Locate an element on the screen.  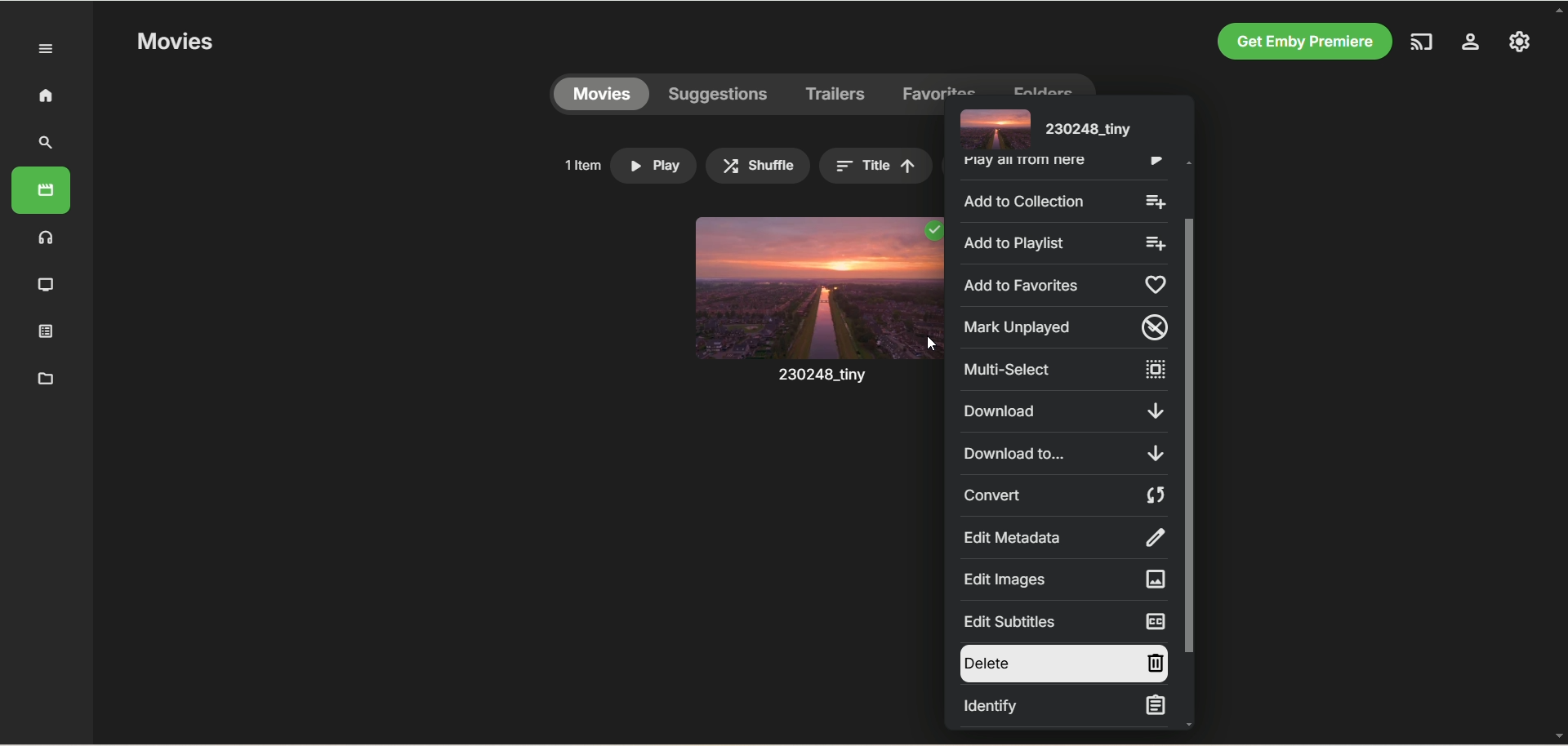
Movie is located at coordinates (816, 317).